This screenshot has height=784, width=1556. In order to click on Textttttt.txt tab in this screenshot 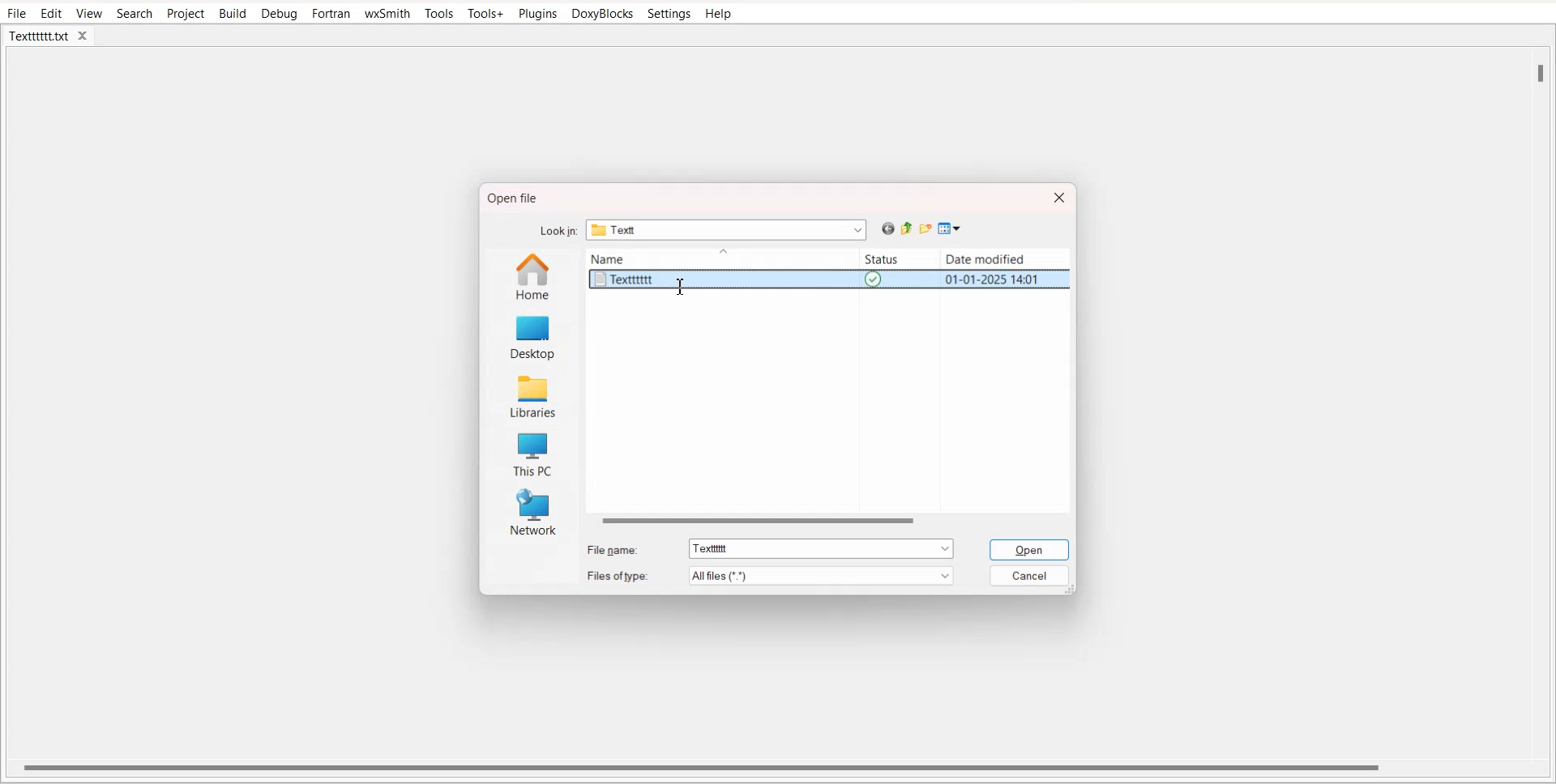, I will do `click(40, 35)`.